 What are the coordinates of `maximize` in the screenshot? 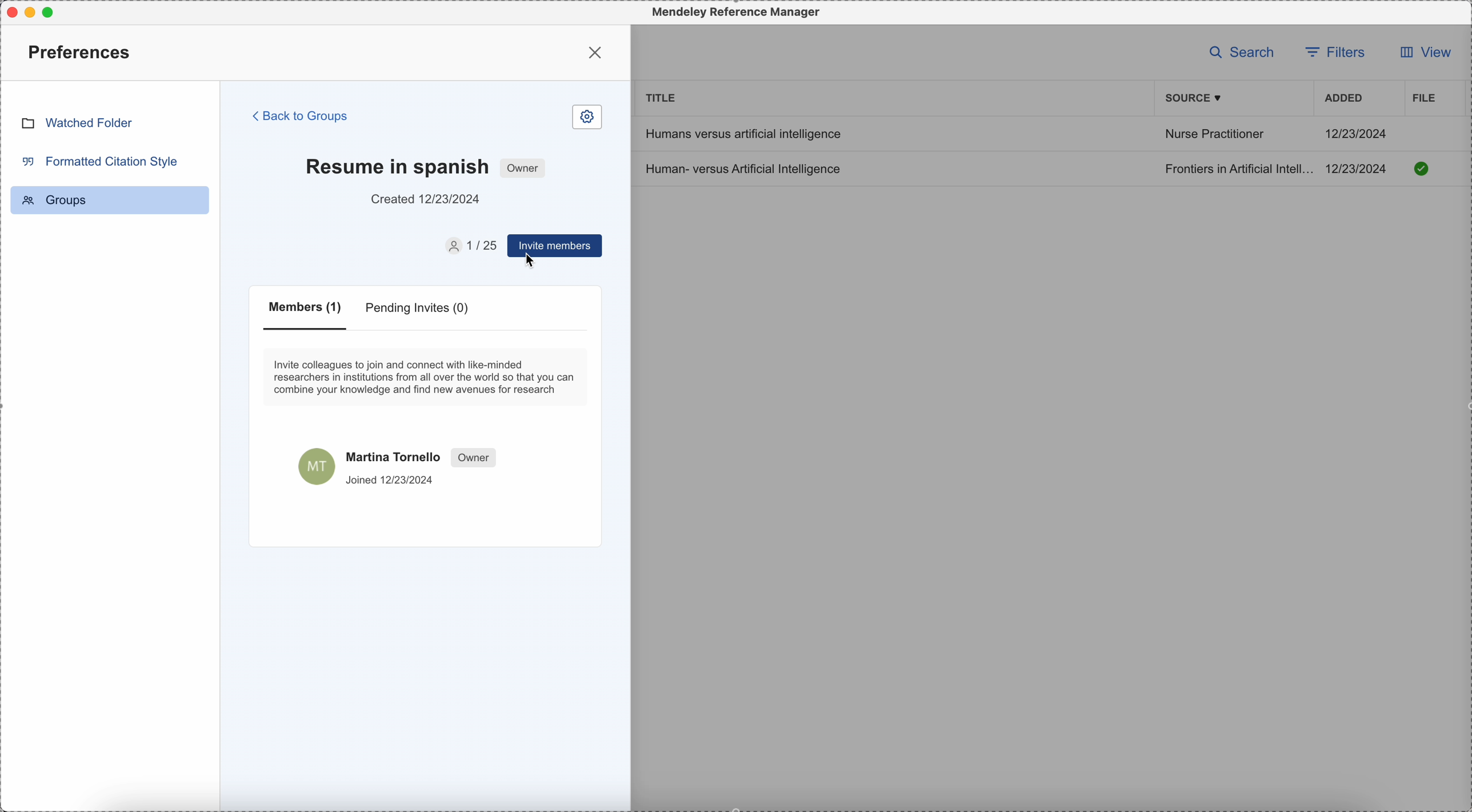 It's located at (53, 11).